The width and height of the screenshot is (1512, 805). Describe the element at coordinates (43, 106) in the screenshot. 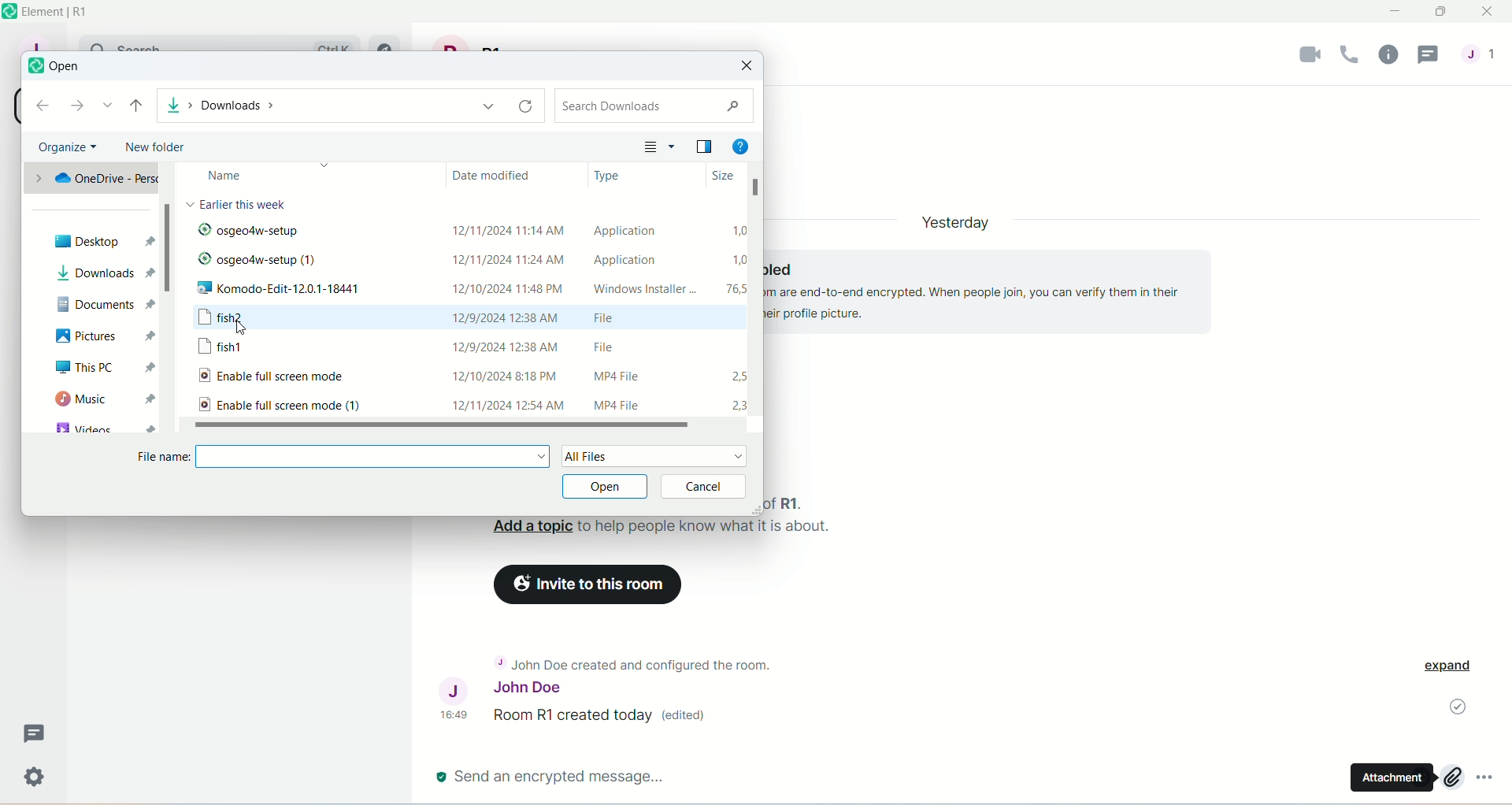

I see `go back` at that location.